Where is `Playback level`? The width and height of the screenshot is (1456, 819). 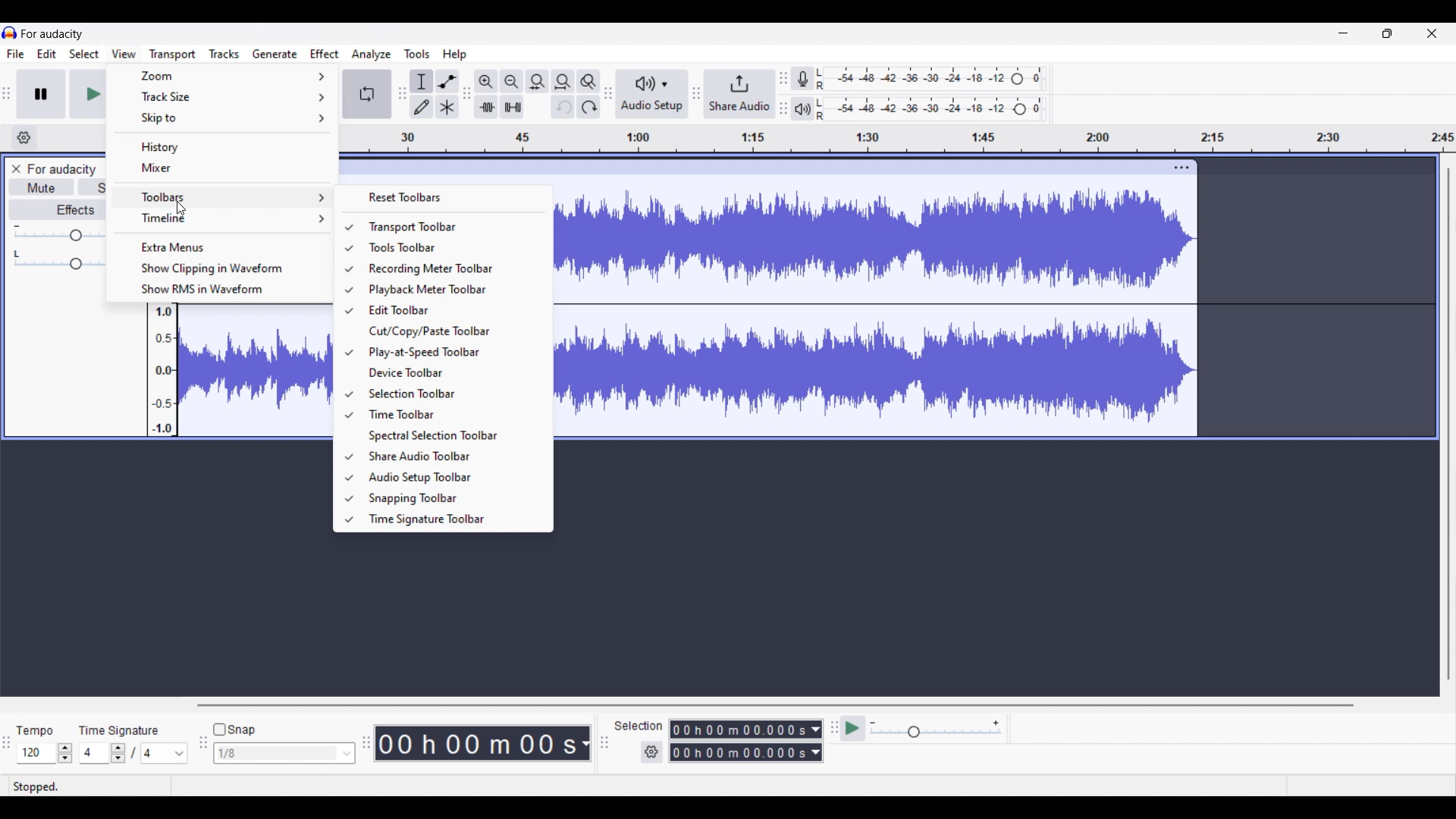 Playback level is located at coordinates (931, 110).